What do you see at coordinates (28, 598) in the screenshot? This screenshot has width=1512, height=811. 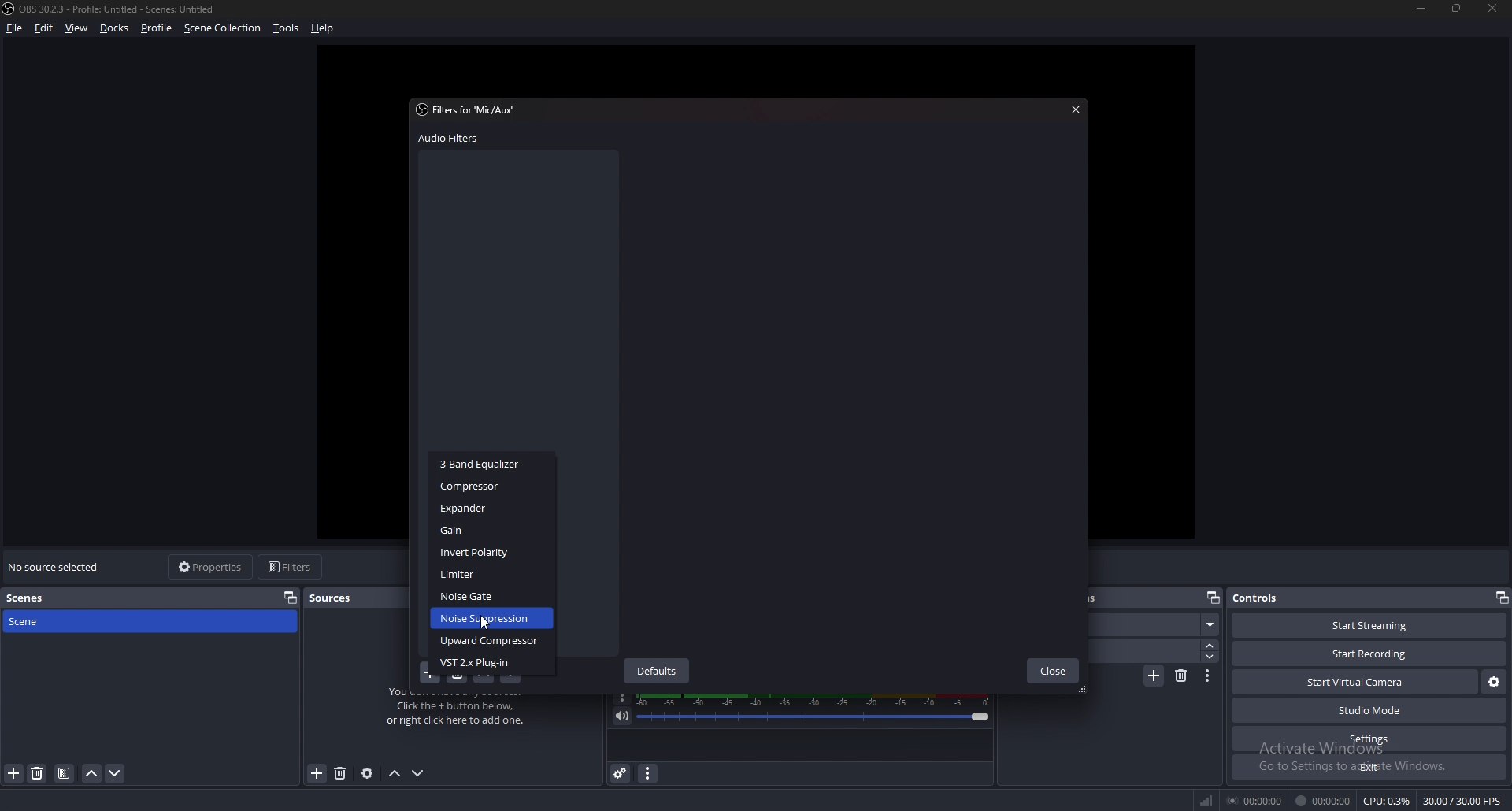 I see `scenes` at bounding box center [28, 598].